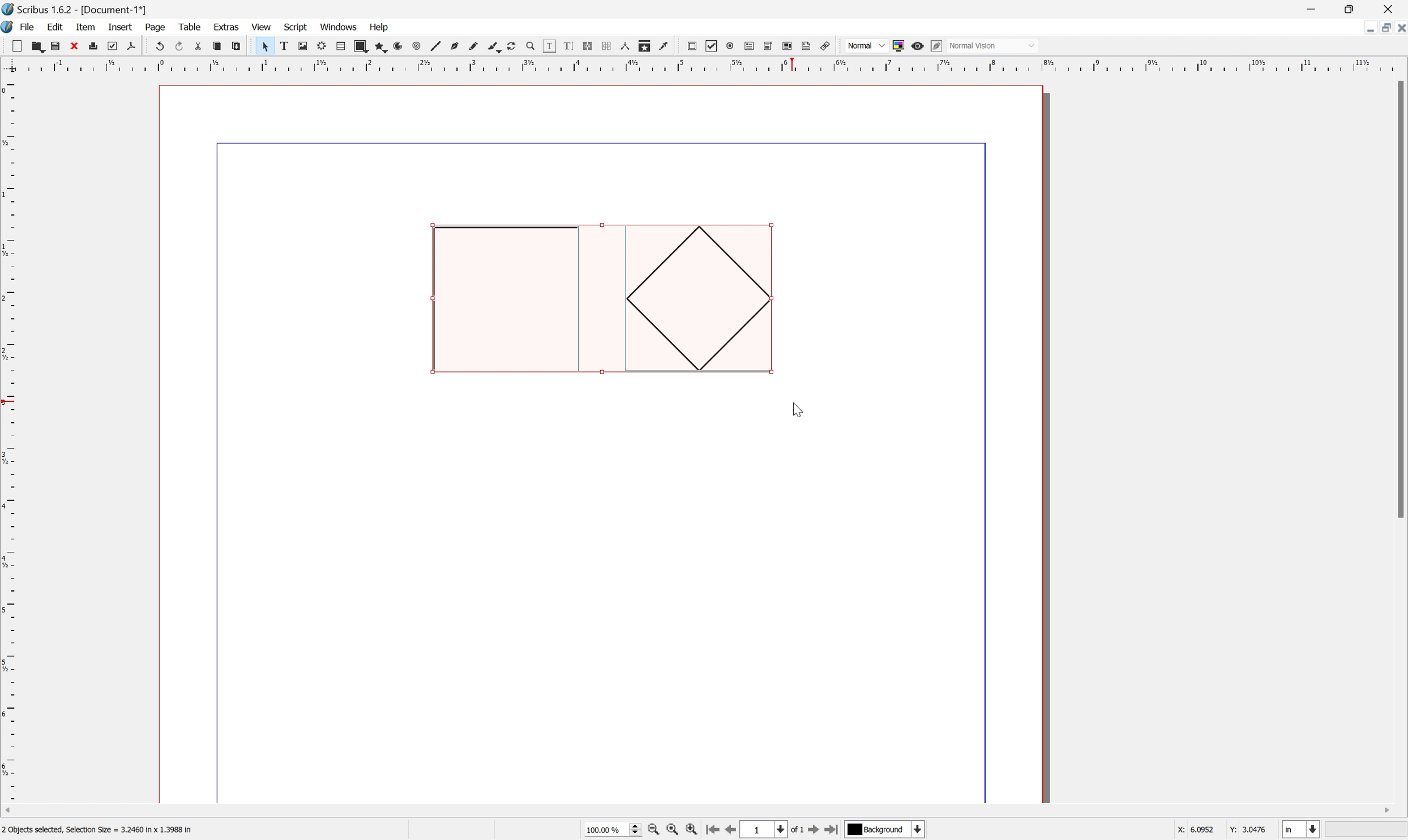 The height and width of the screenshot is (840, 1408). Describe the element at coordinates (706, 63) in the screenshot. I see `Ruler` at that location.